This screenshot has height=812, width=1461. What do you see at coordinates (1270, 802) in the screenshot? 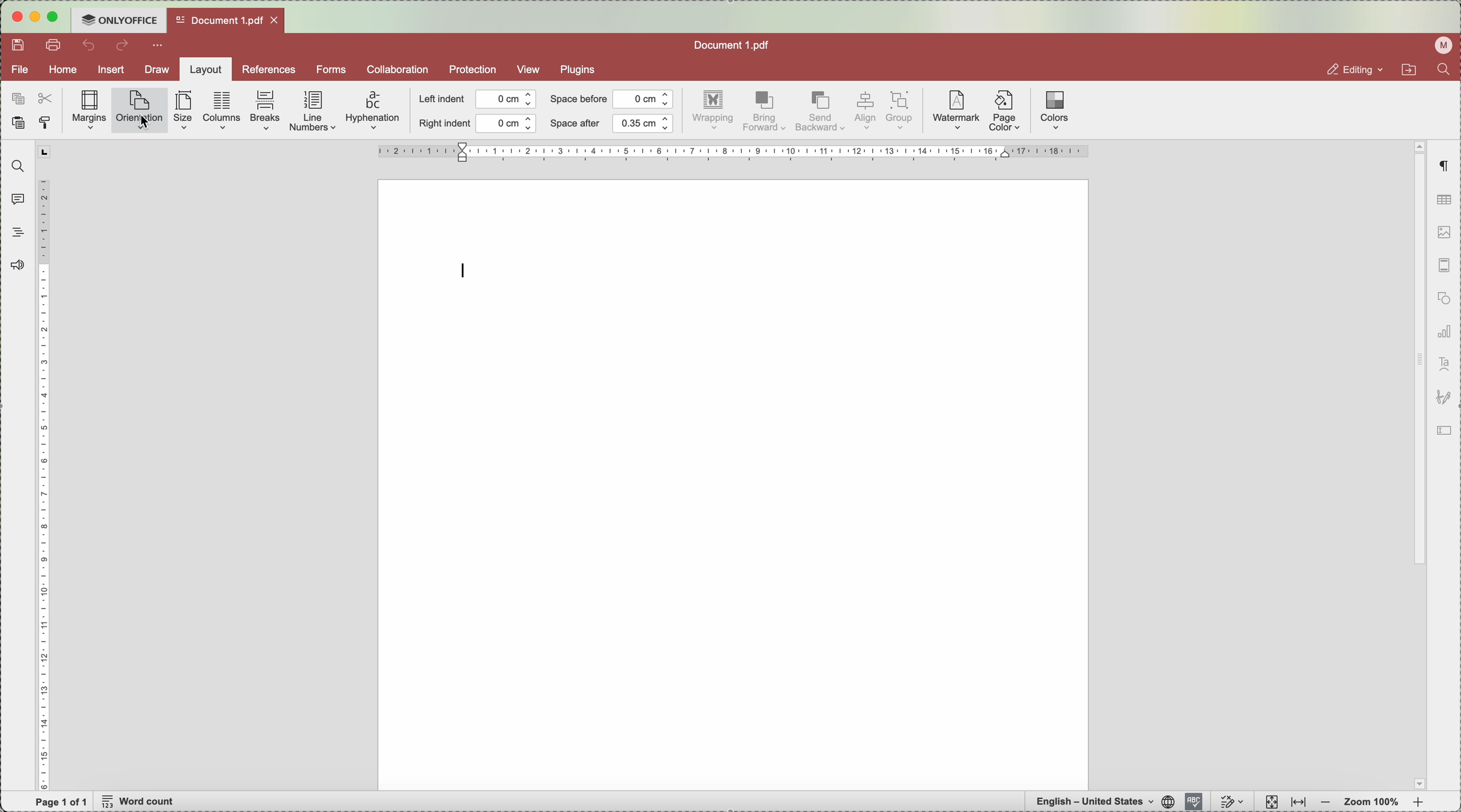
I see `fit to page` at bounding box center [1270, 802].